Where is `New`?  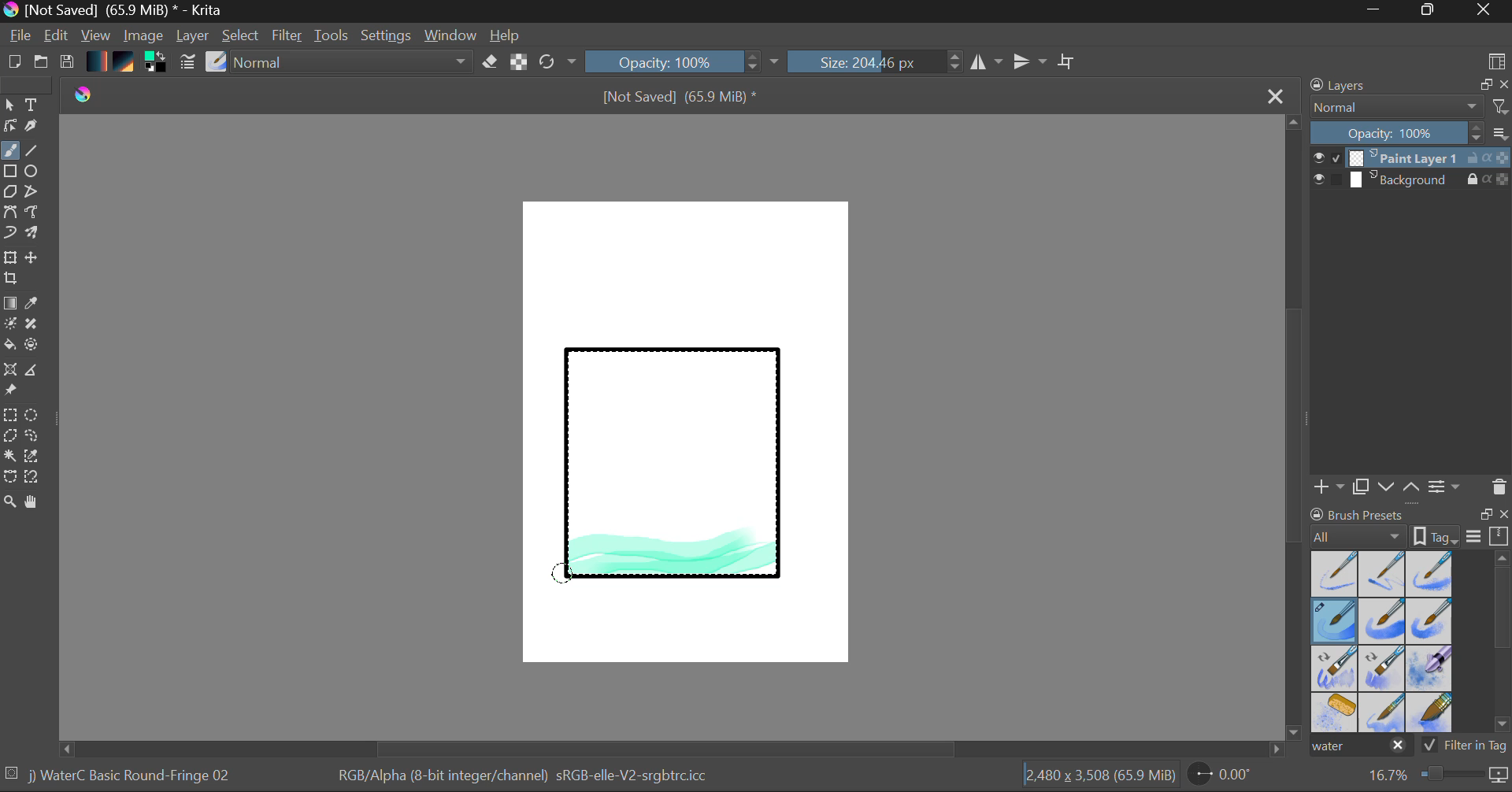 New is located at coordinates (13, 64).